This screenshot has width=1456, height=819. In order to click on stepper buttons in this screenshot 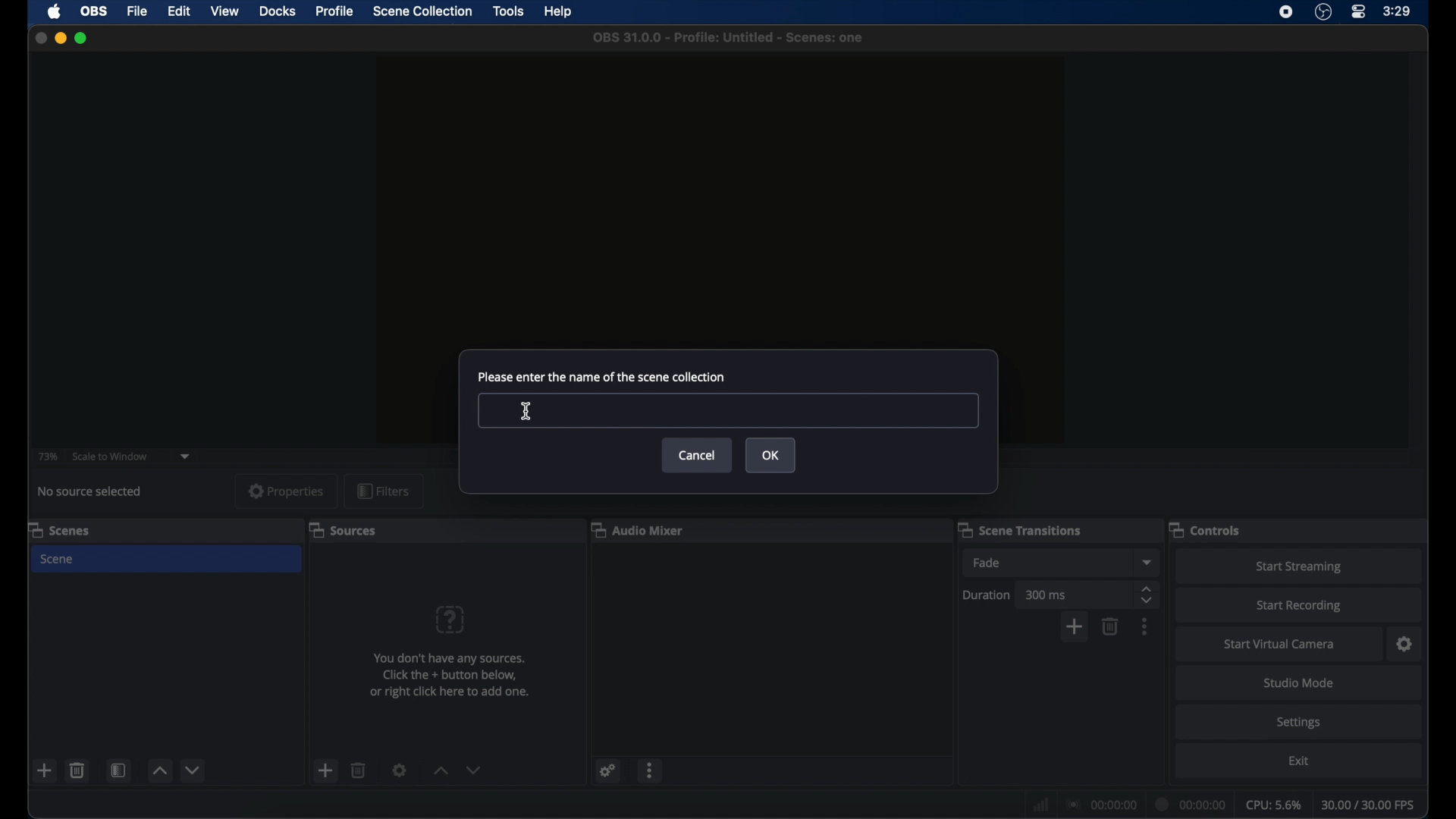, I will do `click(1147, 595)`.